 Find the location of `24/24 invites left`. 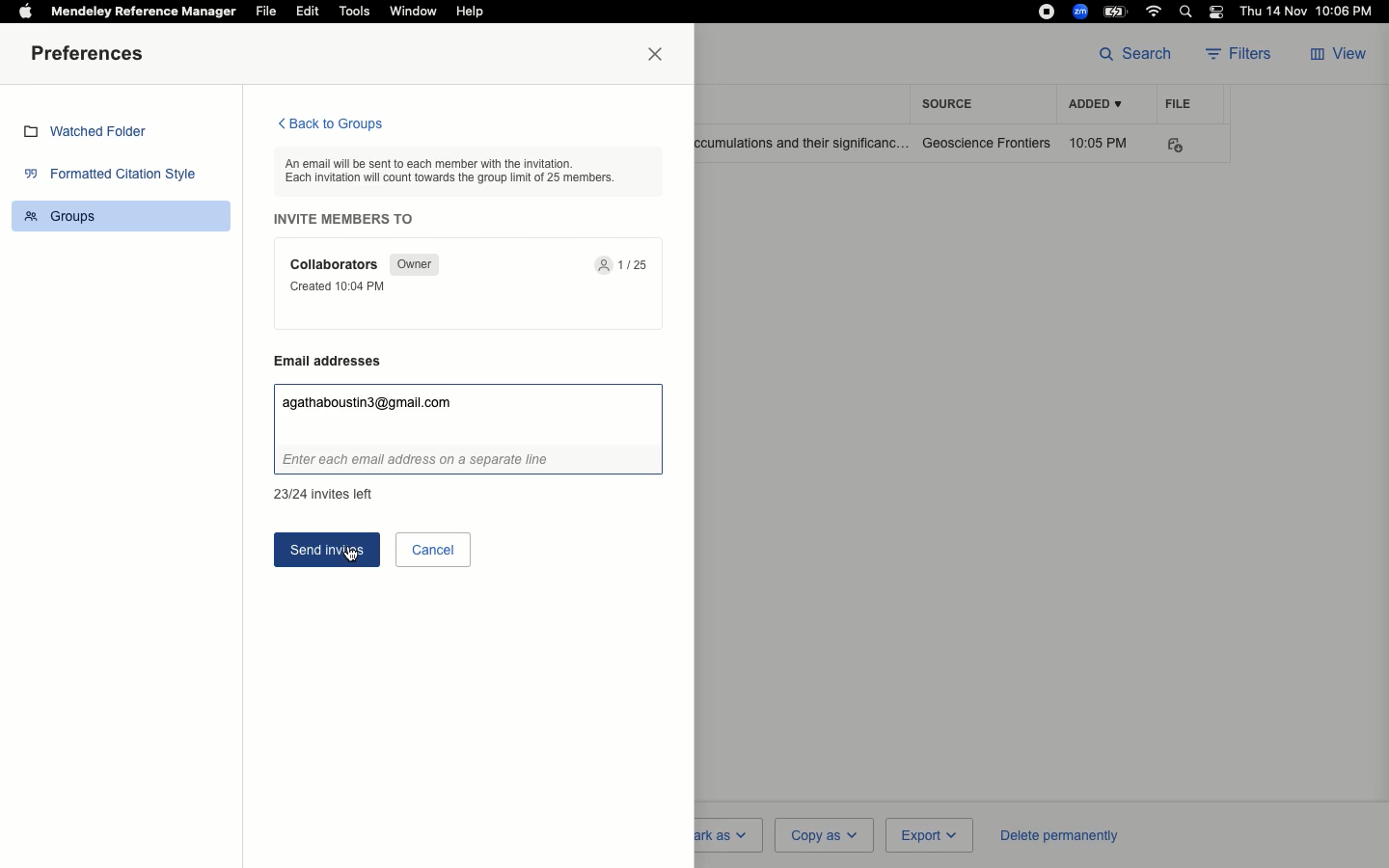

24/24 invites left is located at coordinates (323, 492).